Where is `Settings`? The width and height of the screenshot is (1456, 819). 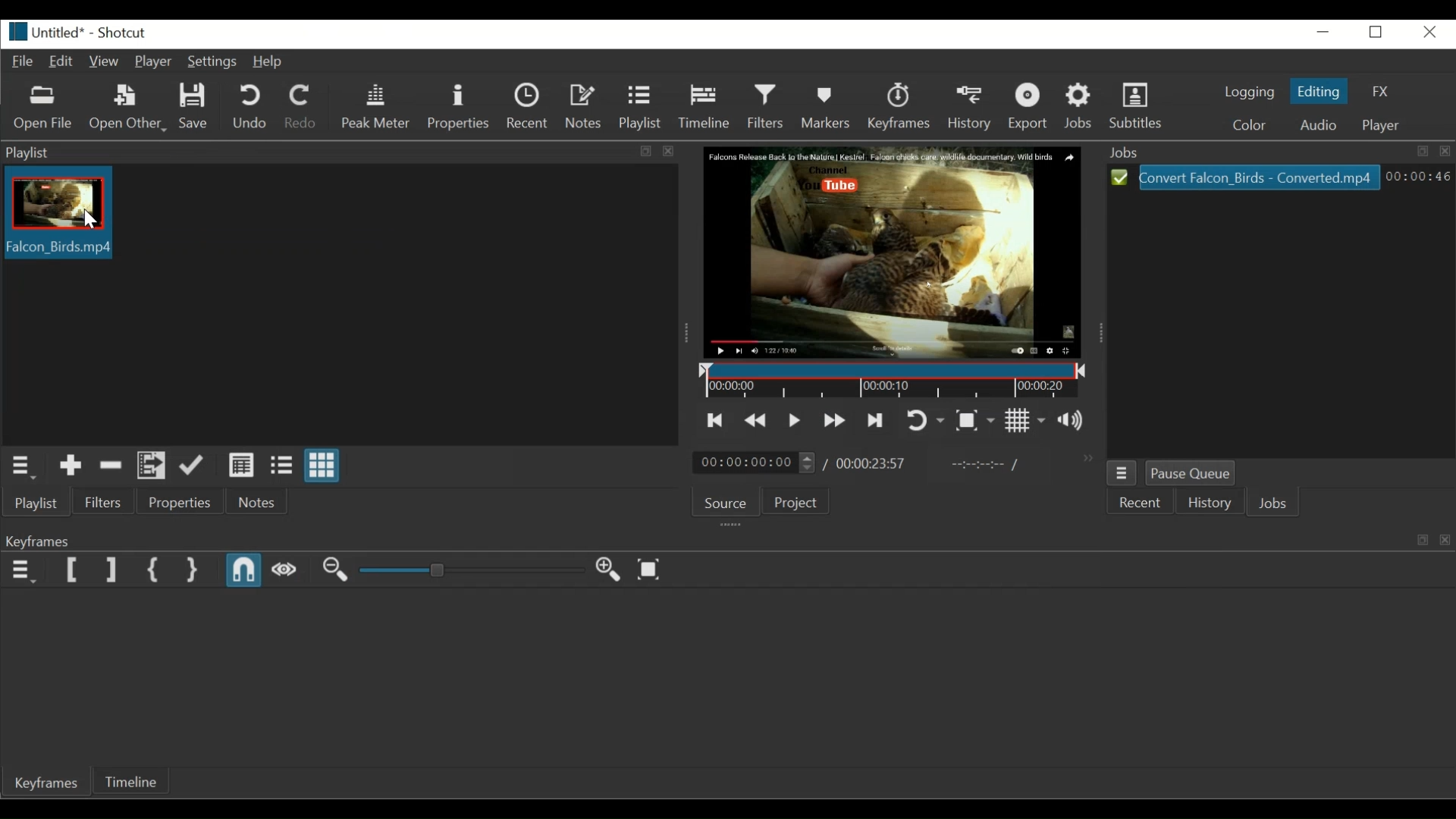 Settings is located at coordinates (212, 63).